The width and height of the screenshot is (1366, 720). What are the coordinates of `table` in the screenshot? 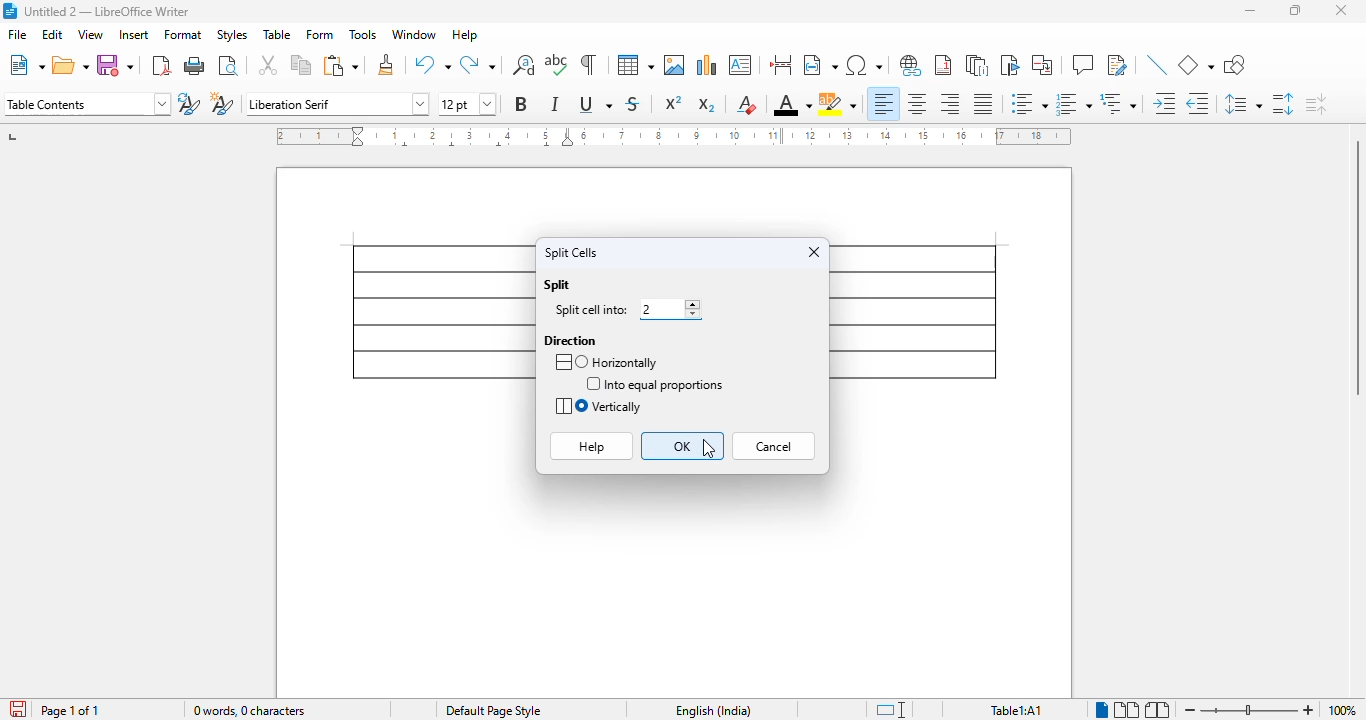 It's located at (277, 33).